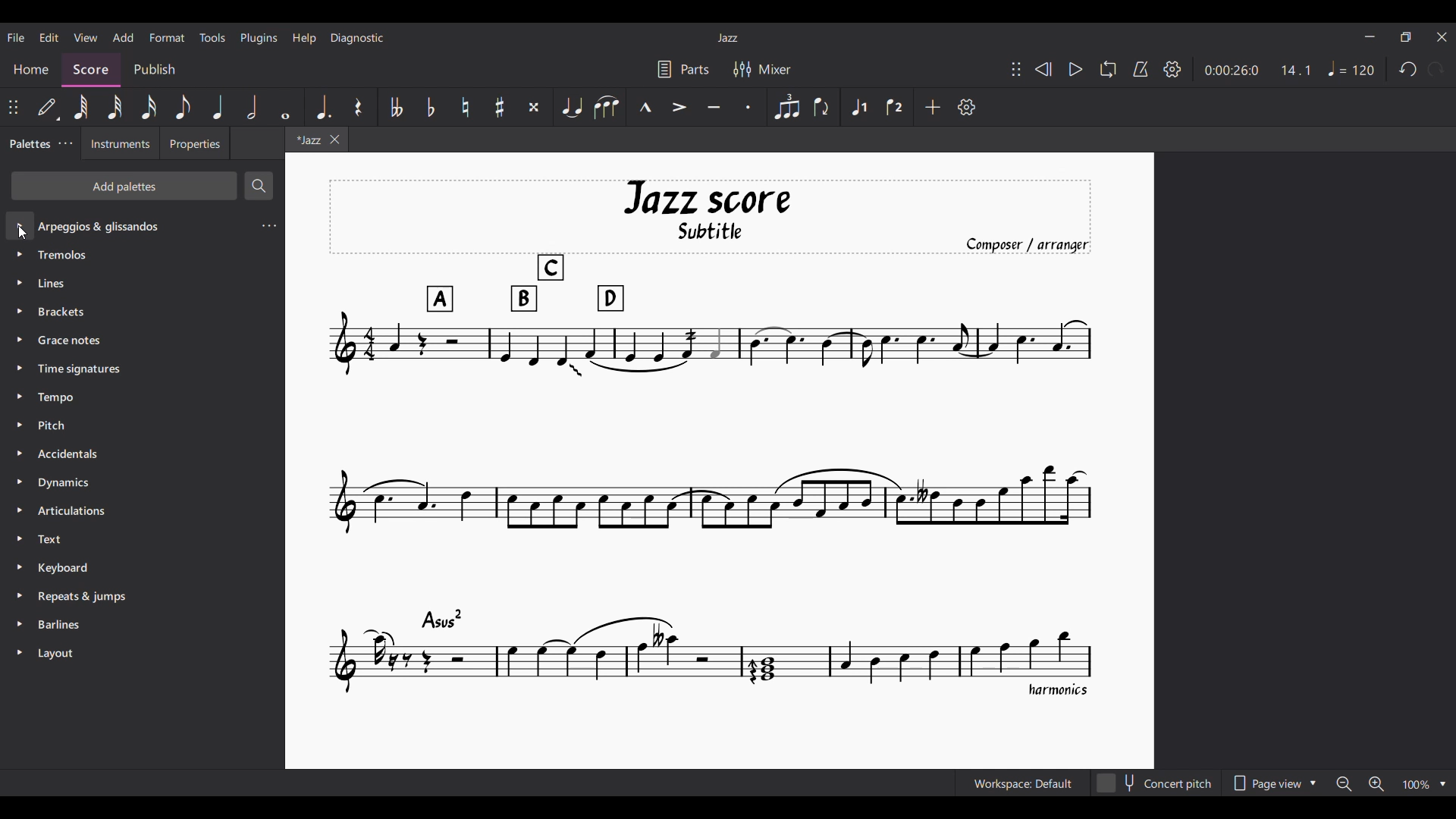  I want to click on Format menu, so click(167, 37).